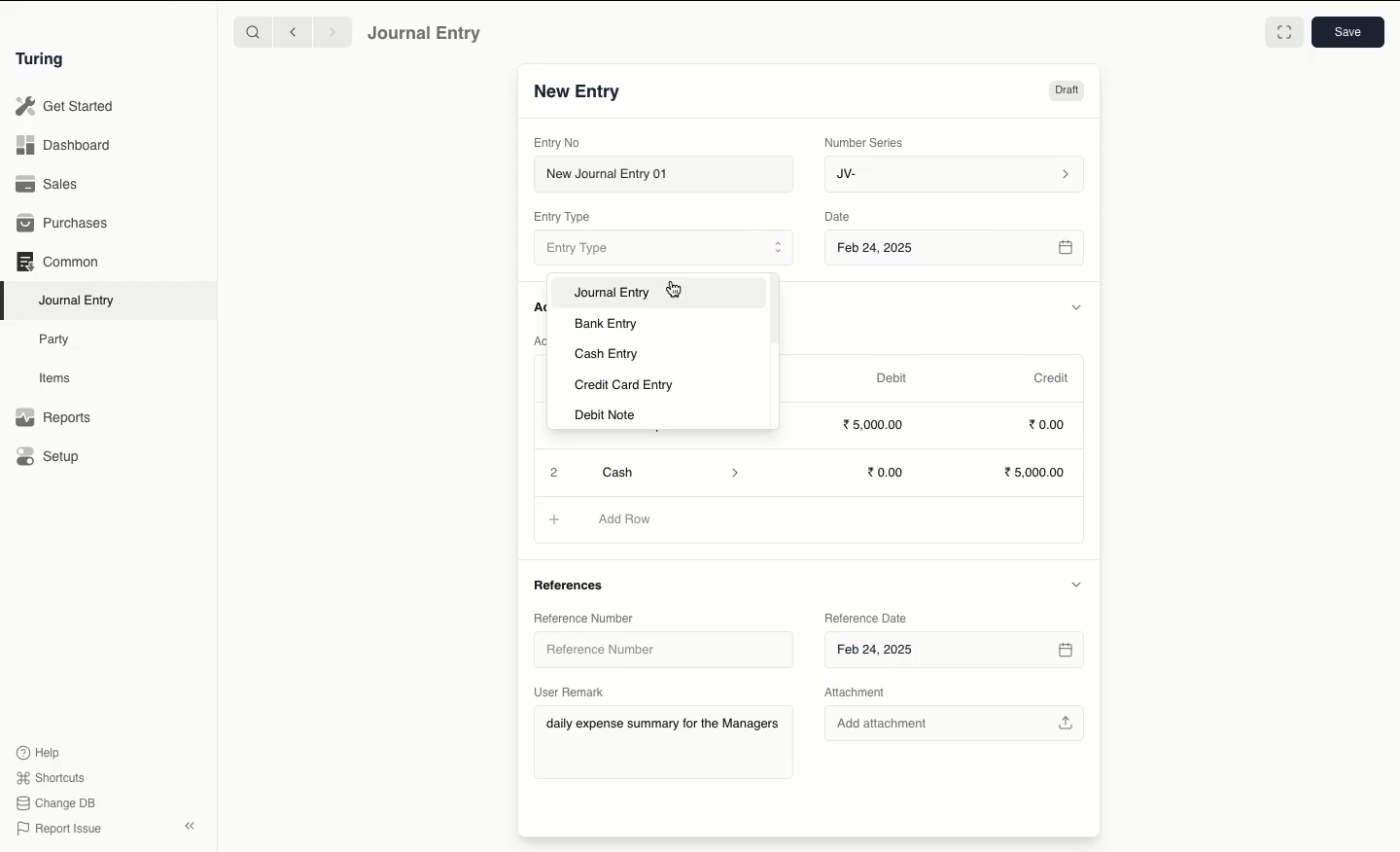 This screenshot has height=852, width=1400. I want to click on cursor, so click(676, 290).